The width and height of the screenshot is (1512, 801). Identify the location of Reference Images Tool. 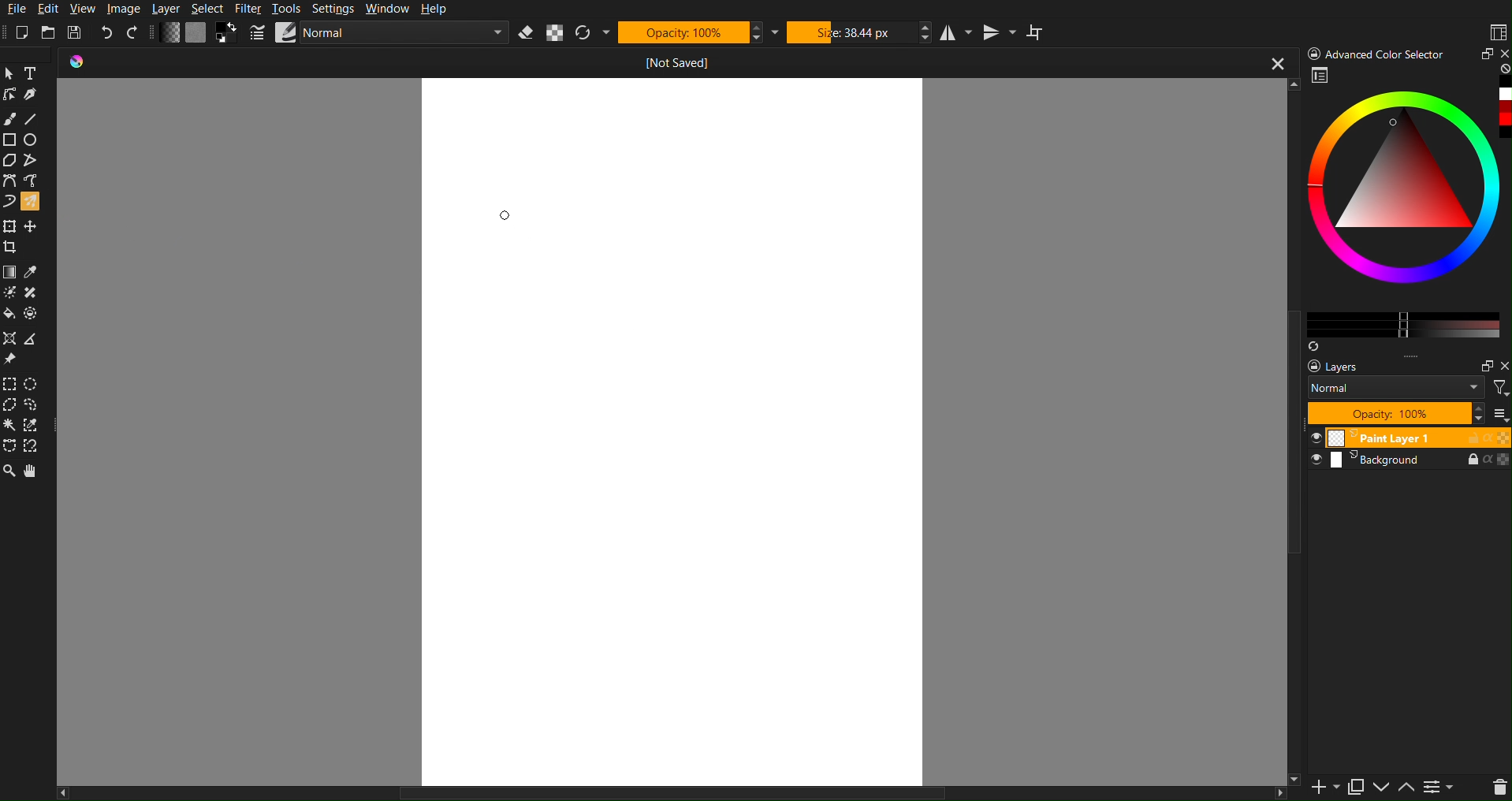
(11, 360).